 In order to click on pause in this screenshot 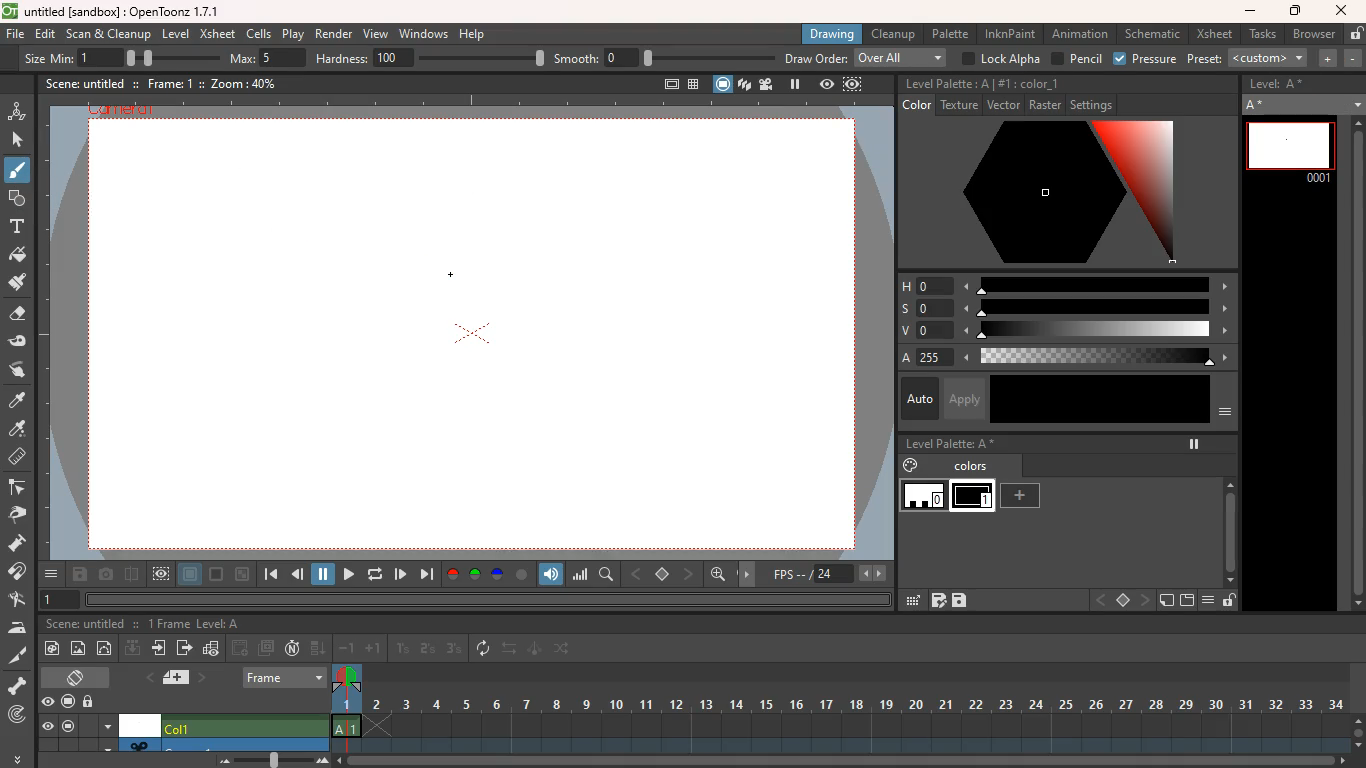, I will do `click(1192, 444)`.